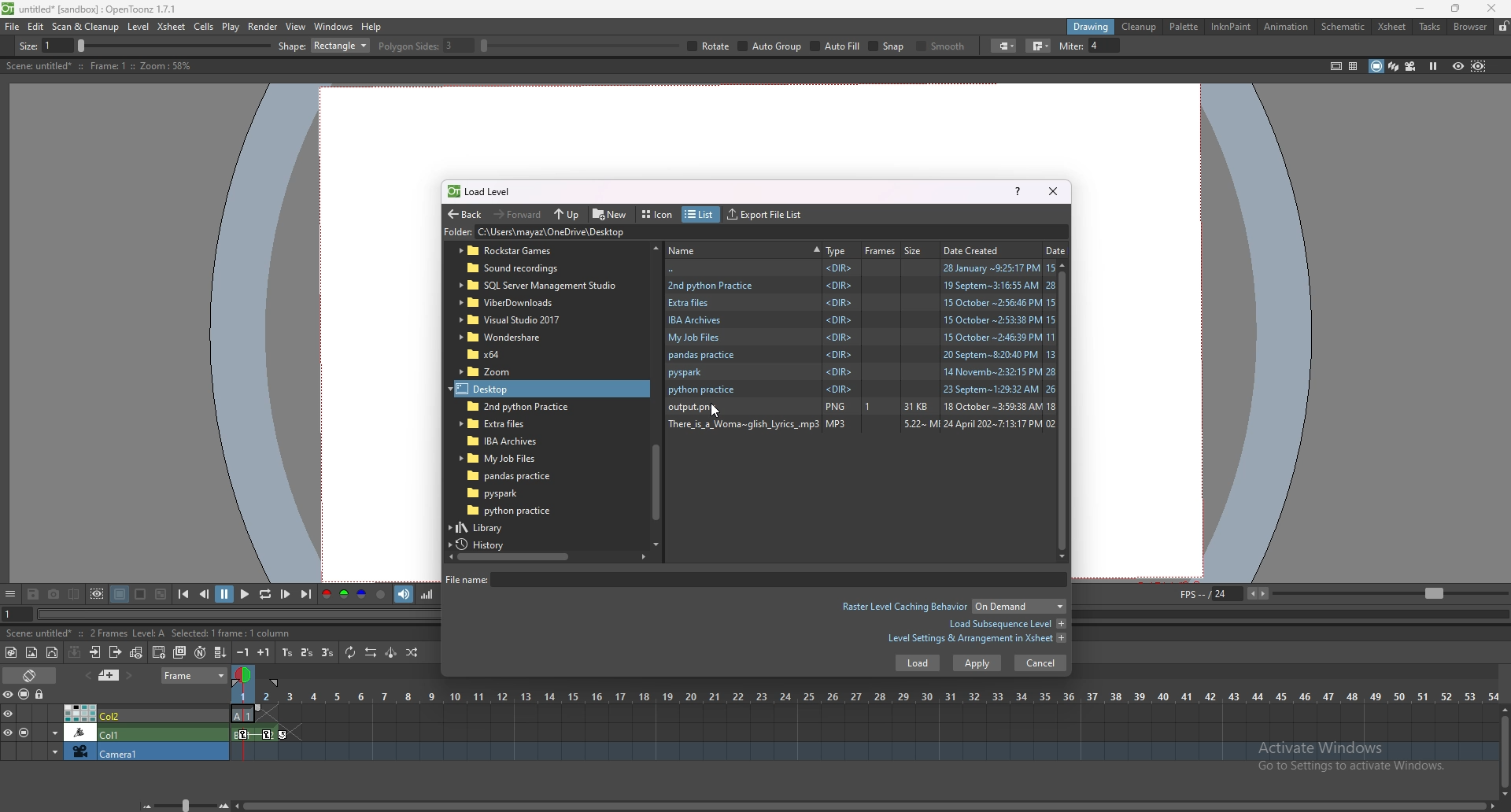 The height and width of the screenshot is (812, 1511). What do you see at coordinates (264, 27) in the screenshot?
I see `render` at bounding box center [264, 27].